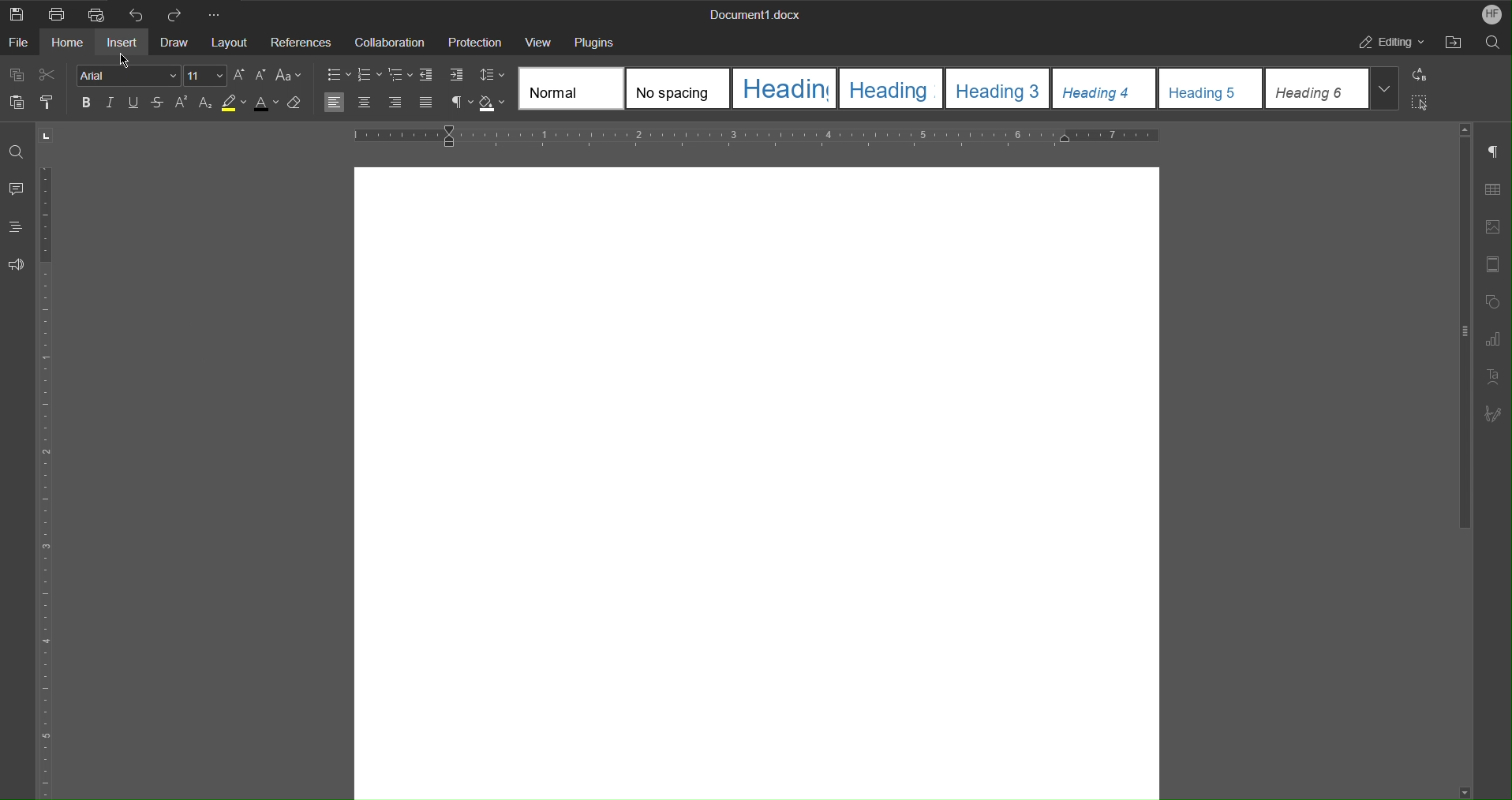  What do you see at coordinates (88, 102) in the screenshot?
I see `Bold` at bounding box center [88, 102].